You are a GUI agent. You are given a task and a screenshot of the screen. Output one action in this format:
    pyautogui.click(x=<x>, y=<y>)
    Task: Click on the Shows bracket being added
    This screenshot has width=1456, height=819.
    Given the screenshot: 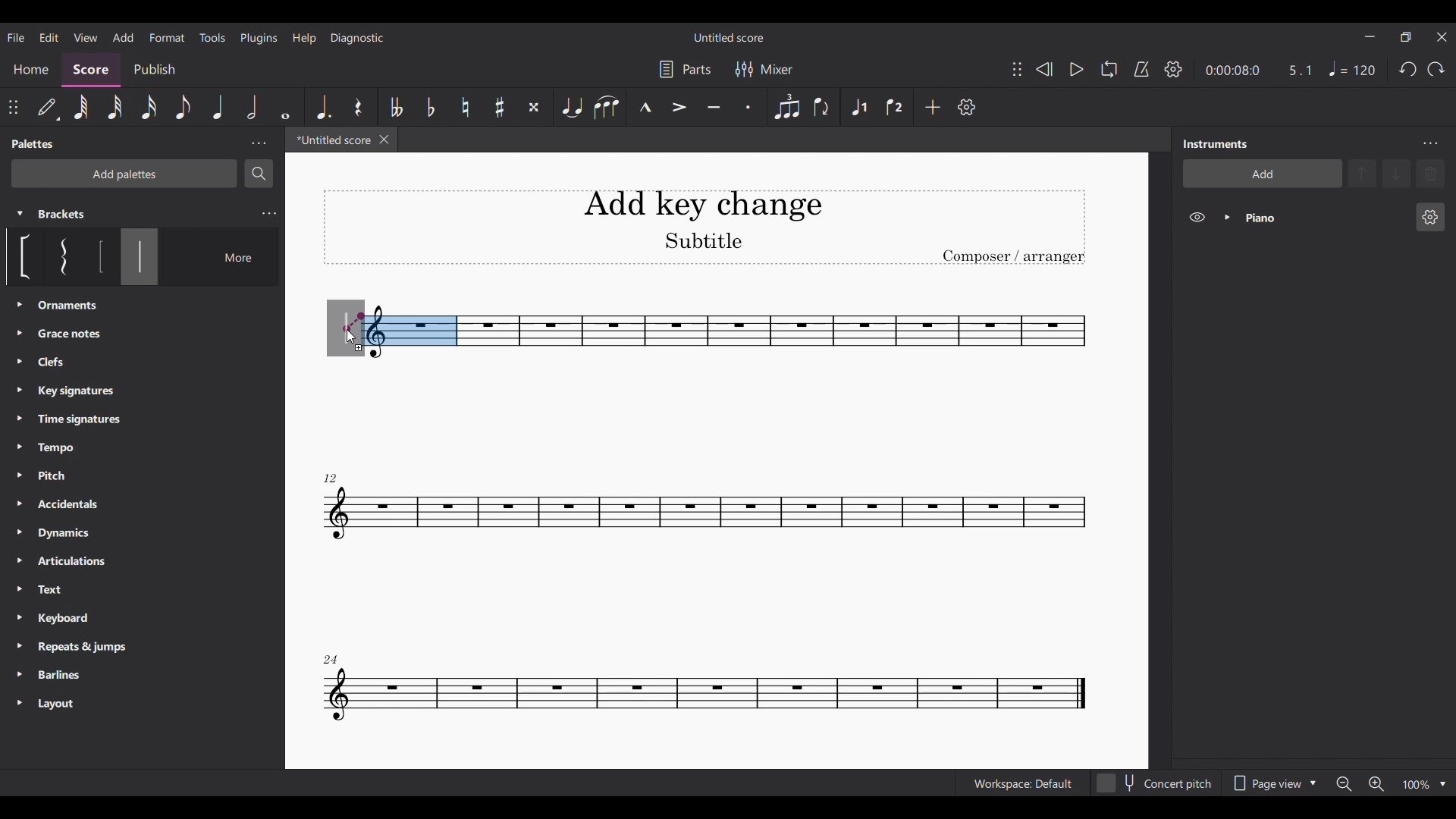 What is the action you would take?
    pyautogui.click(x=346, y=322)
    